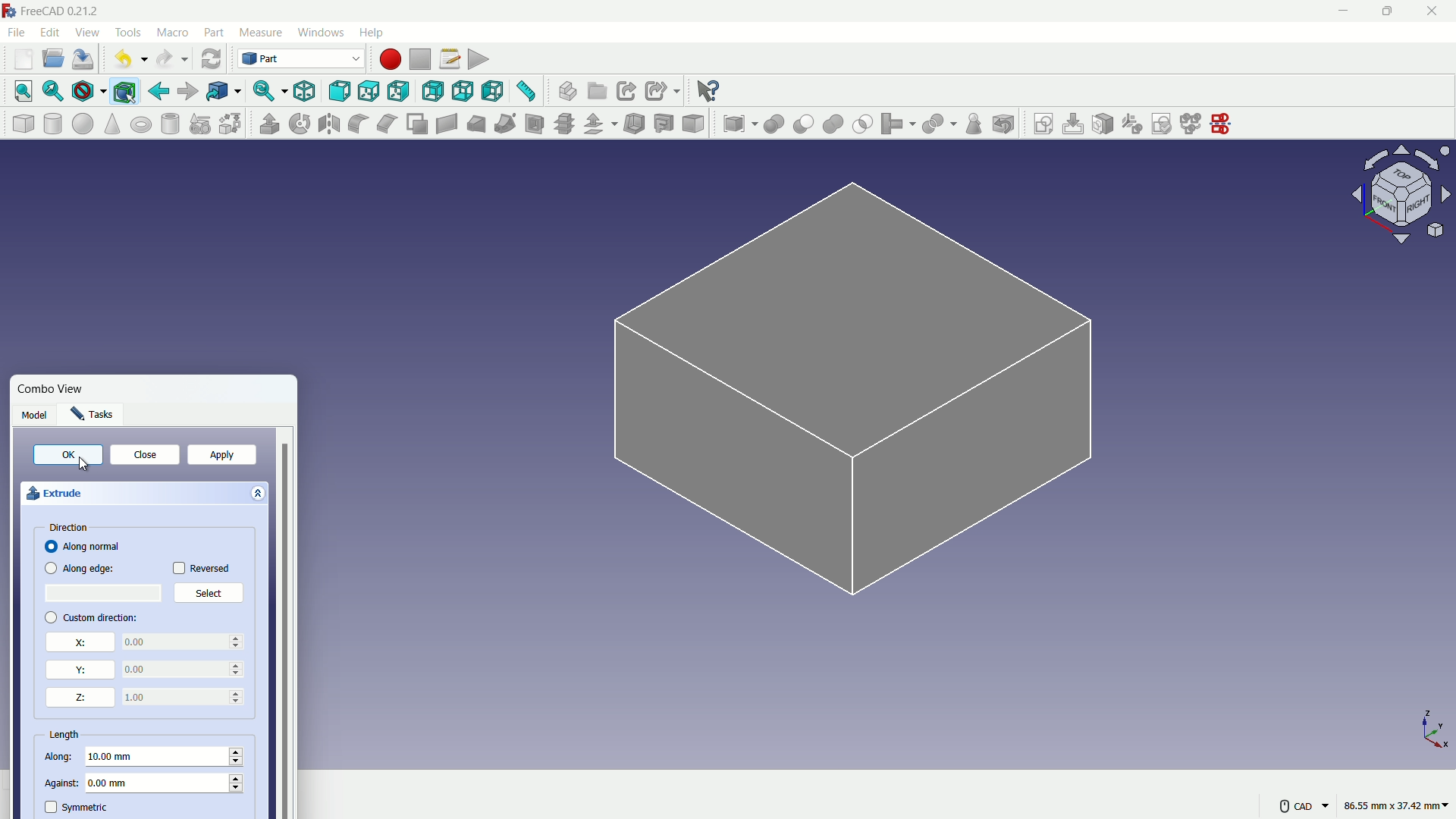  I want to click on Select, so click(209, 593).